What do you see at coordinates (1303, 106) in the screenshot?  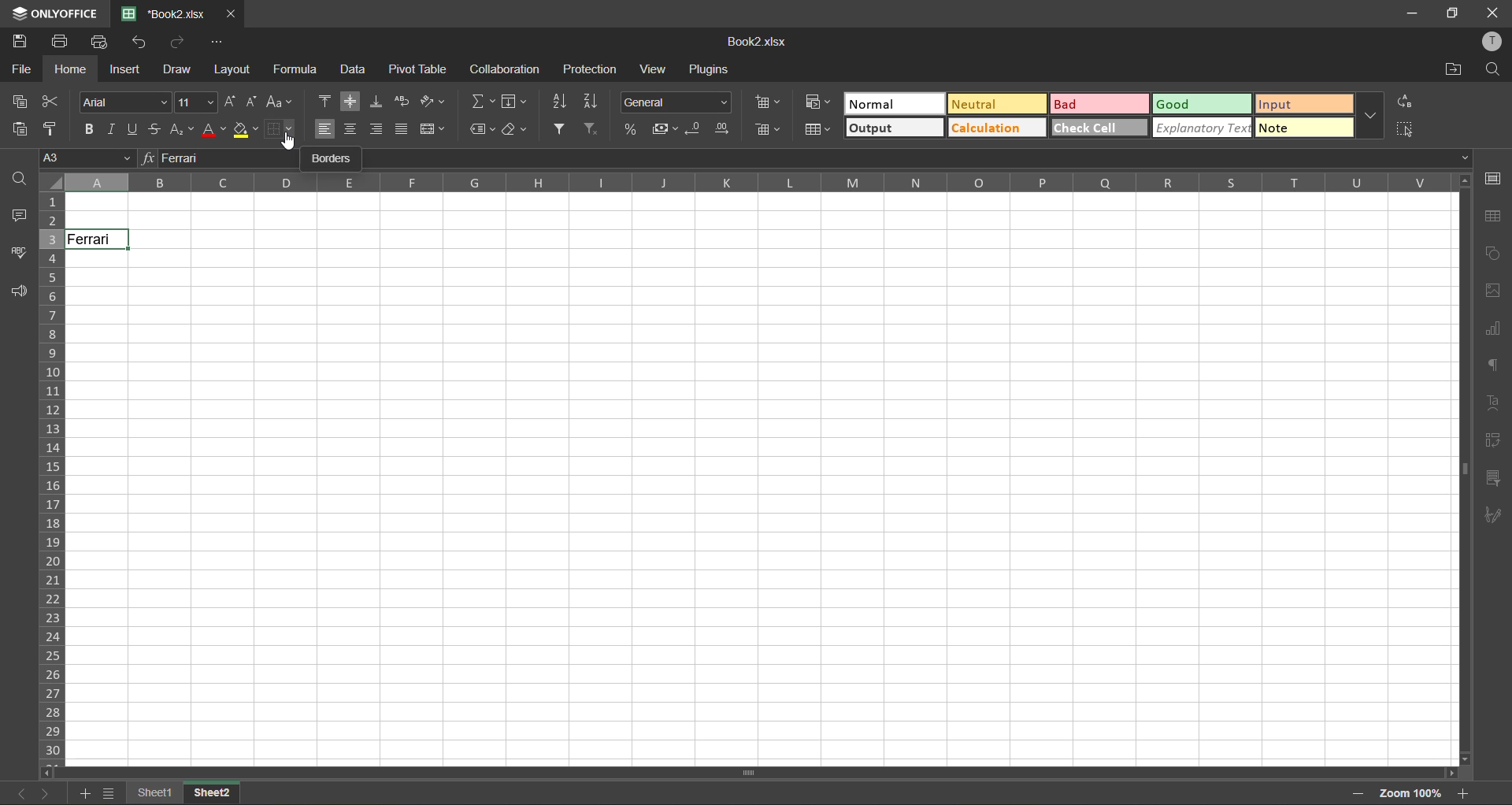 I see `input` at bounding box center [1303, 106].